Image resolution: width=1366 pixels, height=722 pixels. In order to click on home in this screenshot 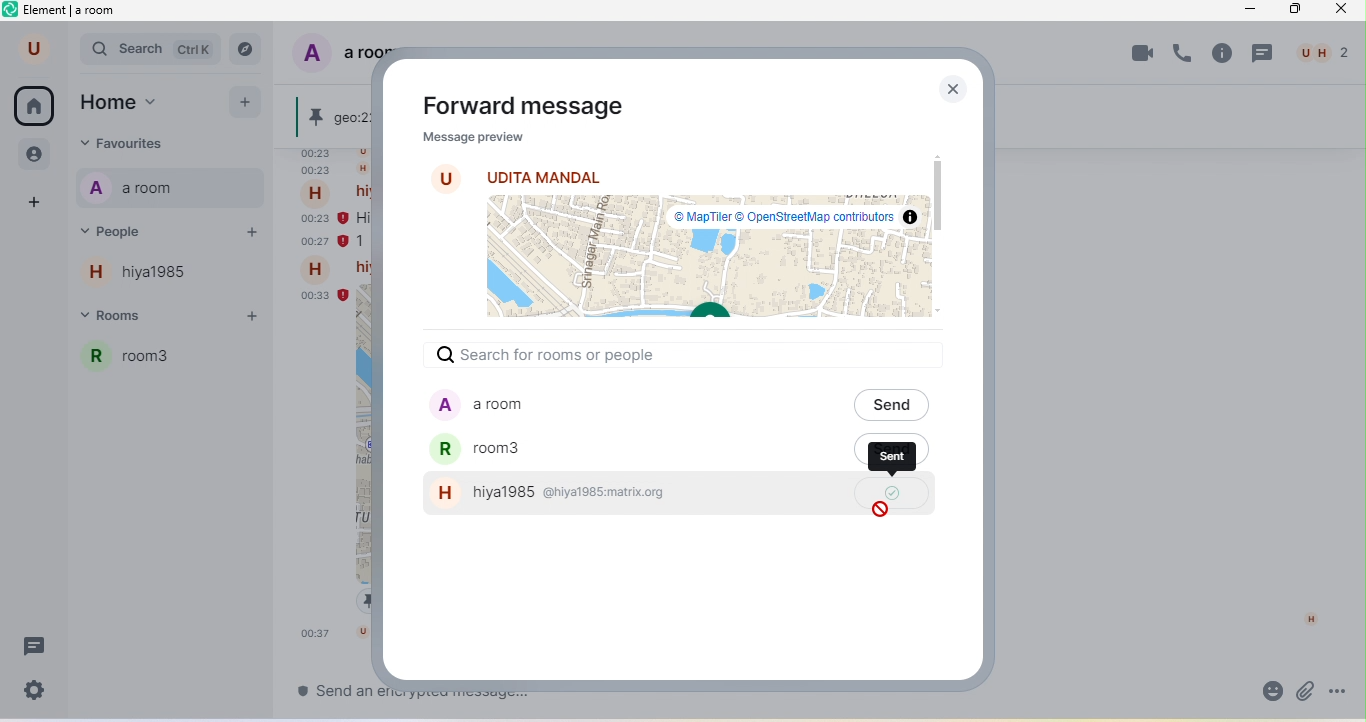, I will do `click(36, 107)`.